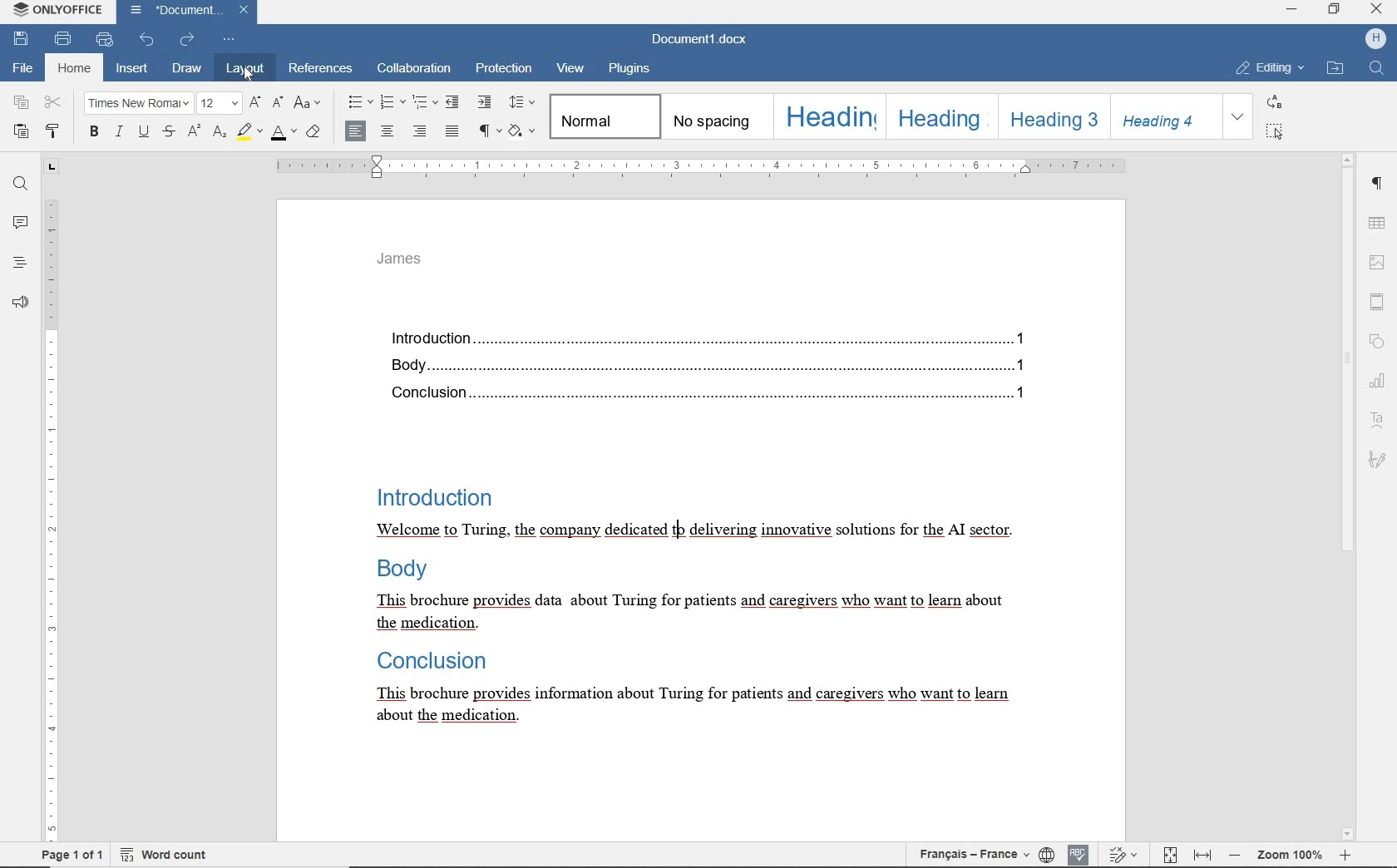  What do you see at coordinates (1054, 116) in the screenshot?
I see `Heading 3` at bounding box center [1054, 116].